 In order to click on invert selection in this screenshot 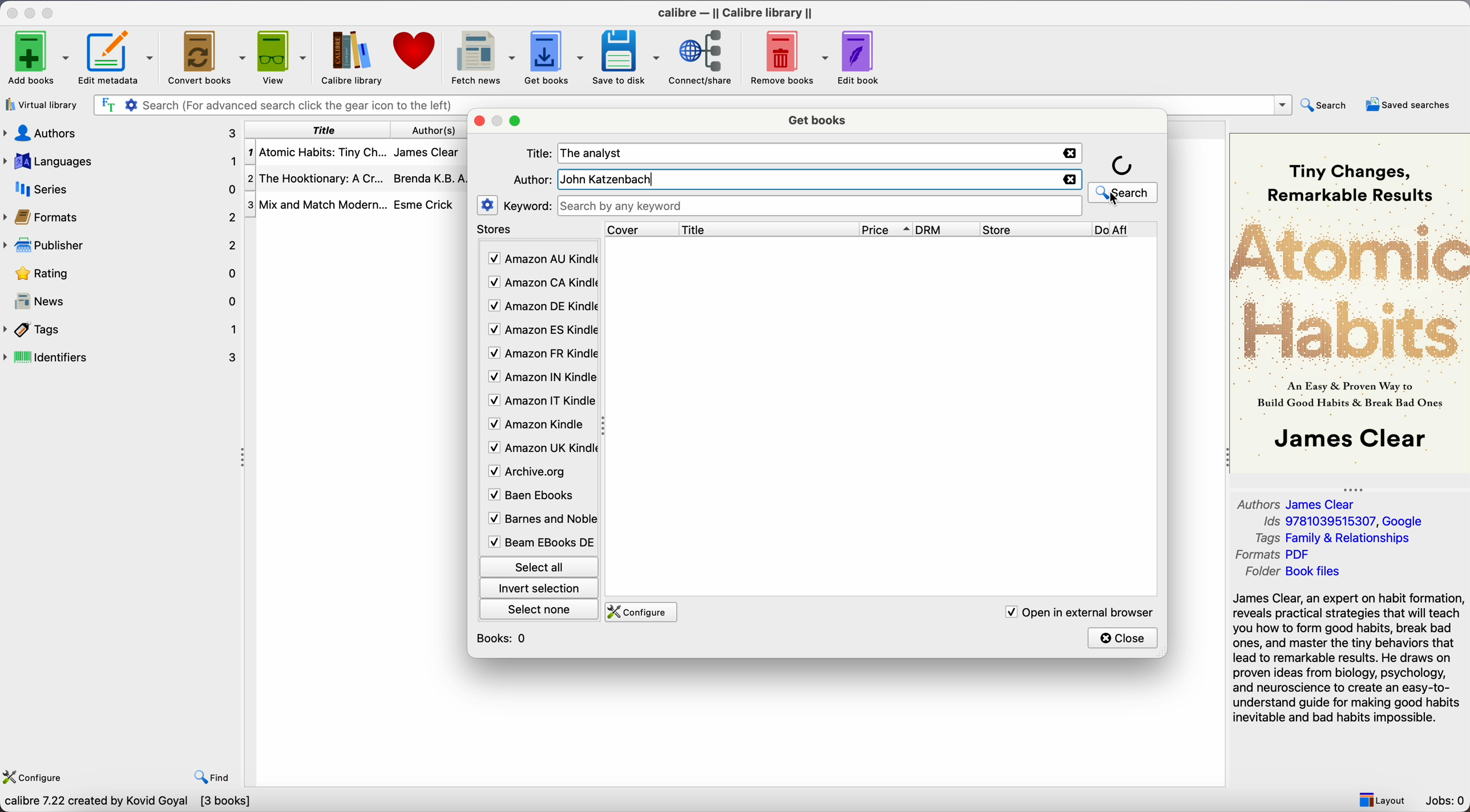, I will do `click(539, 589)`.